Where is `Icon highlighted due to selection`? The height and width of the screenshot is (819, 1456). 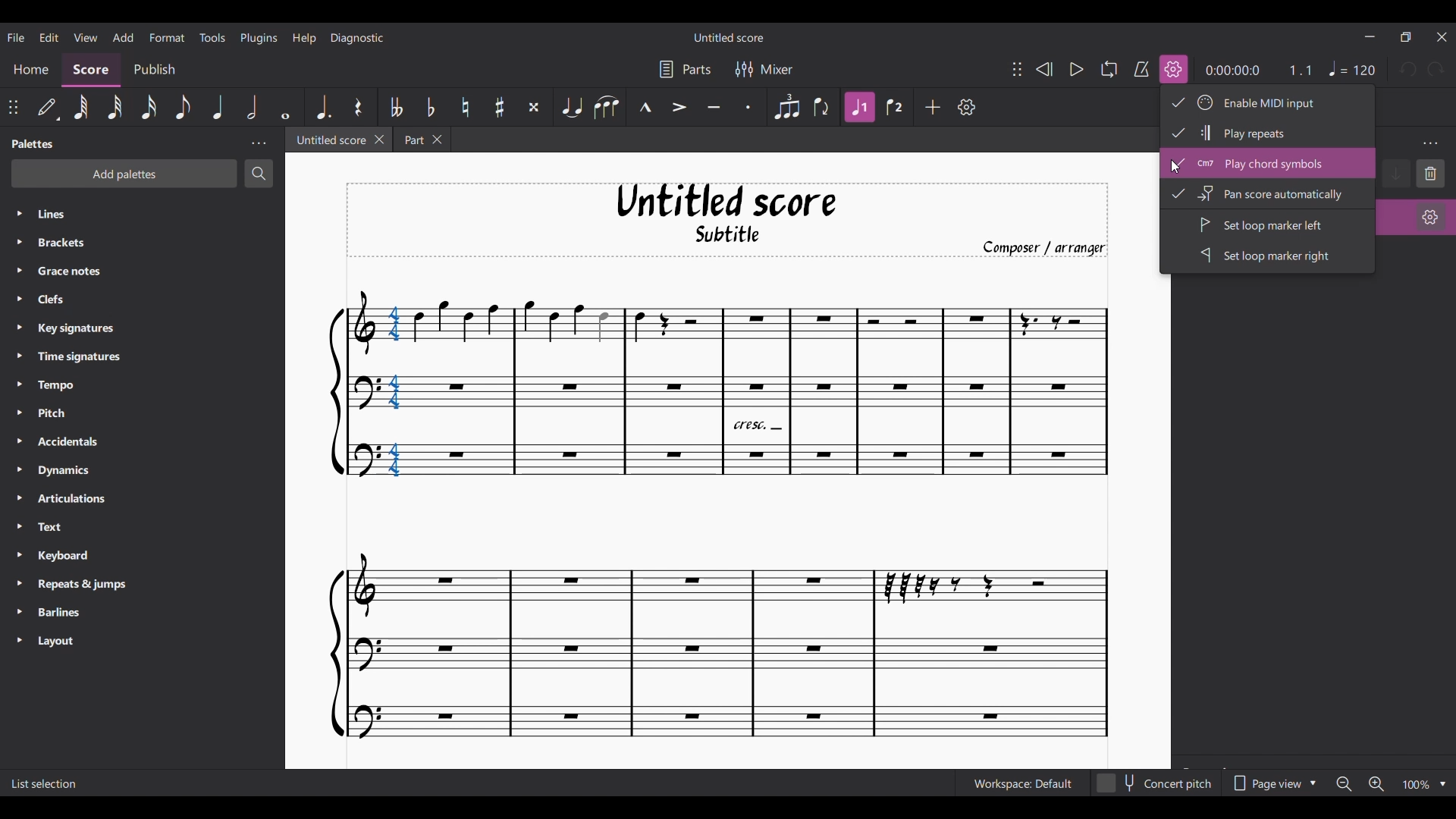
Icon highlighted due to selection is located at coordinates (1173, 69).